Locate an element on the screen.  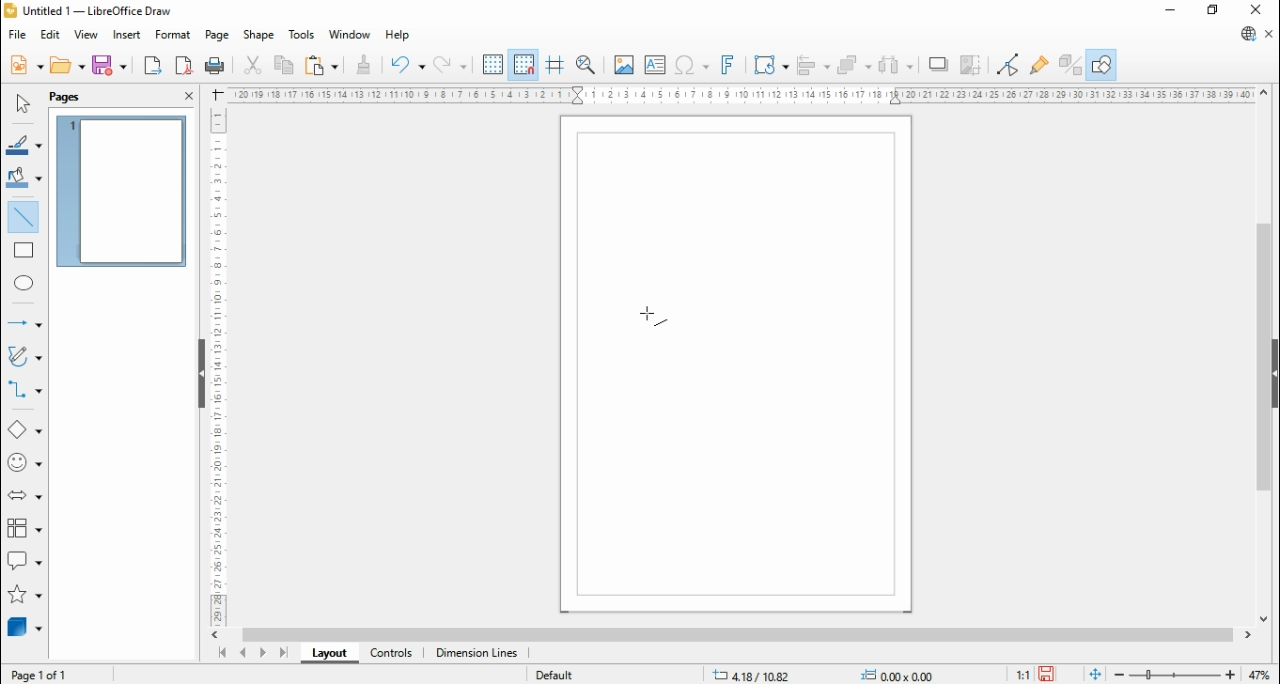
close window is located at coordinates (1253, 10).